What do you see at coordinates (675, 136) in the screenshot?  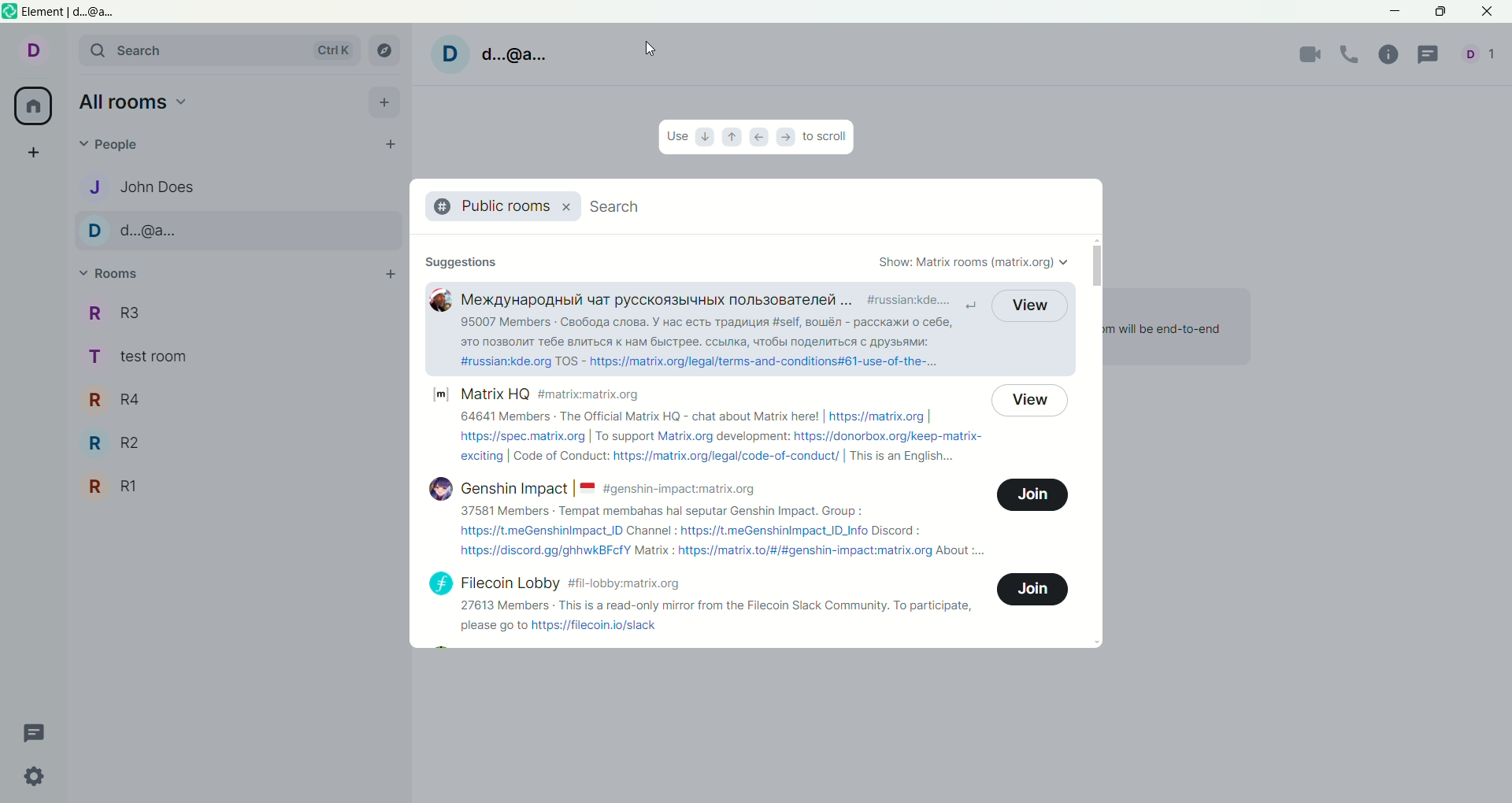 I see `use` at bounding box center [675, 136].